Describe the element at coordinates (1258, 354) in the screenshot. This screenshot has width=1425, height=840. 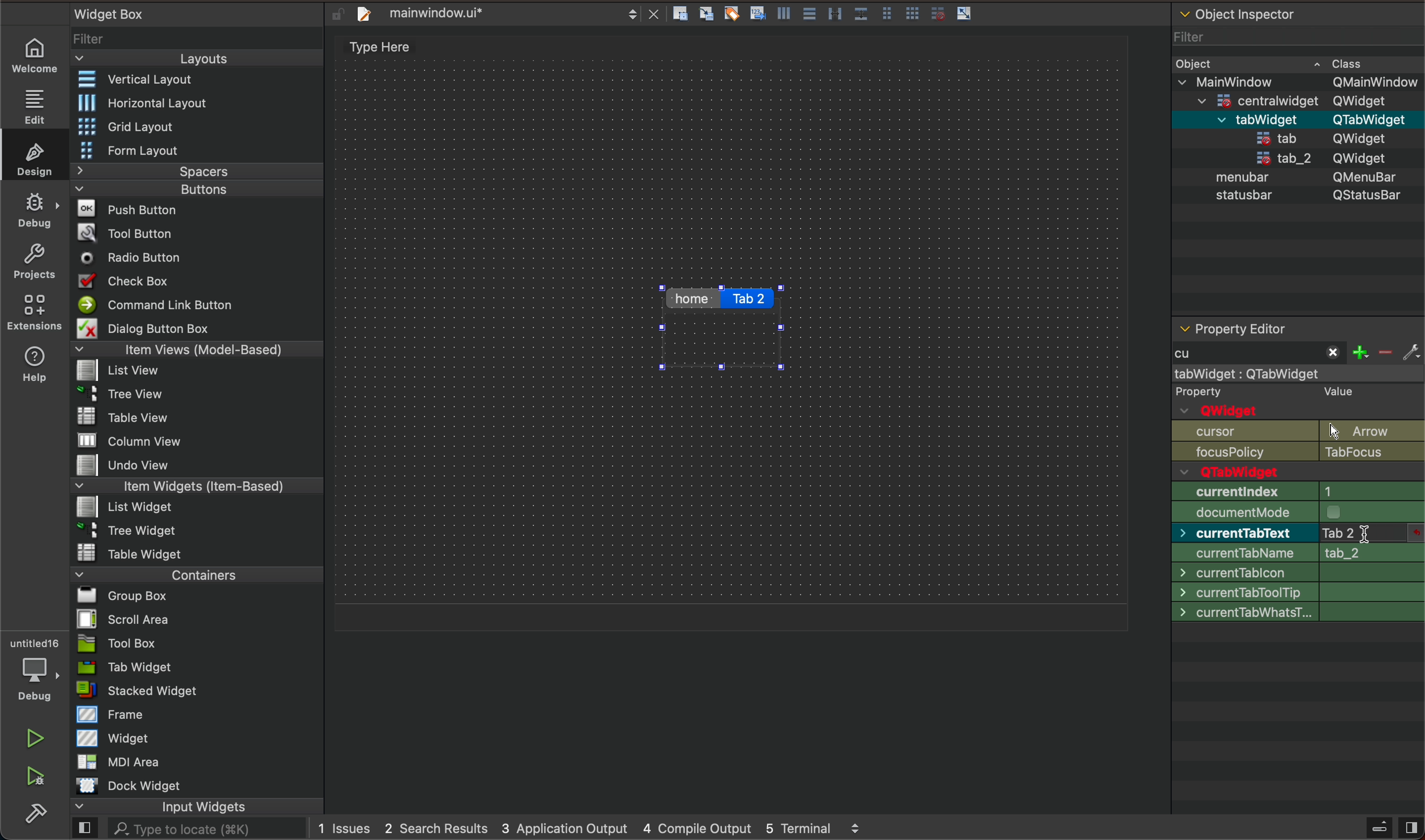
I see `typed cu` at that location.